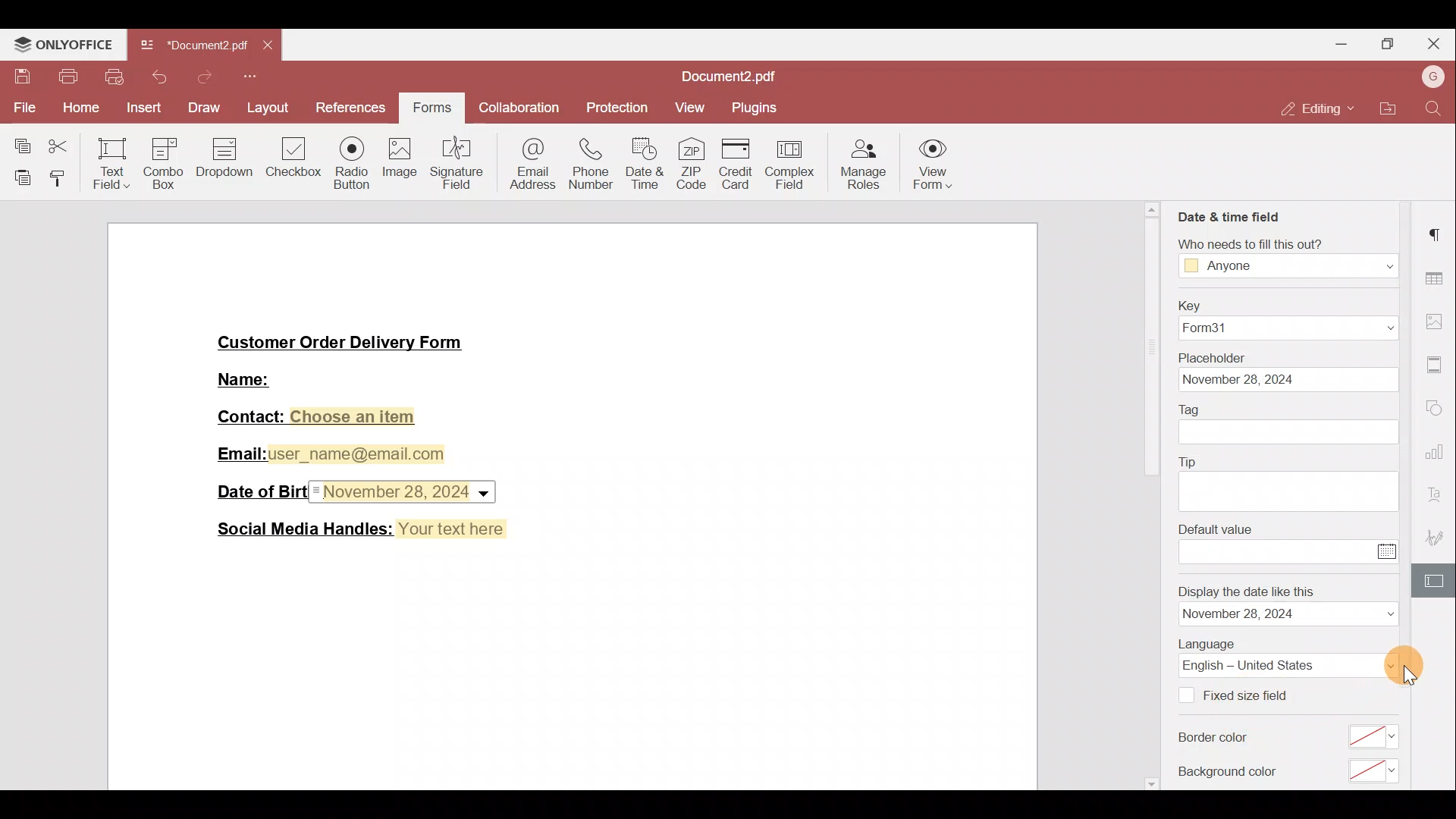  Describe the element at coordinates (1373, 770) in the screenshot. I see `select background color` at that location.